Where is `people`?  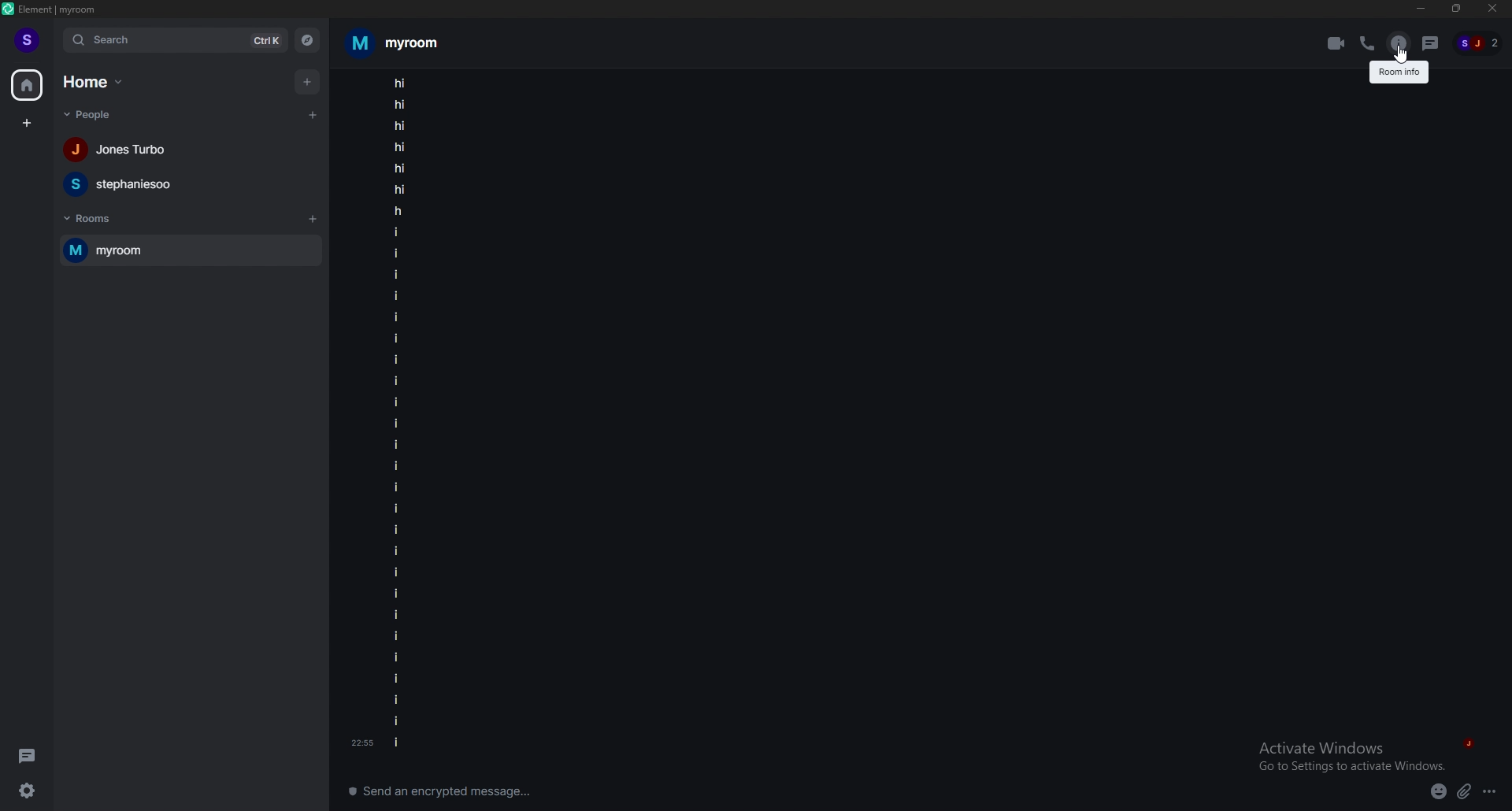
people is located at coordinates (95, 115).